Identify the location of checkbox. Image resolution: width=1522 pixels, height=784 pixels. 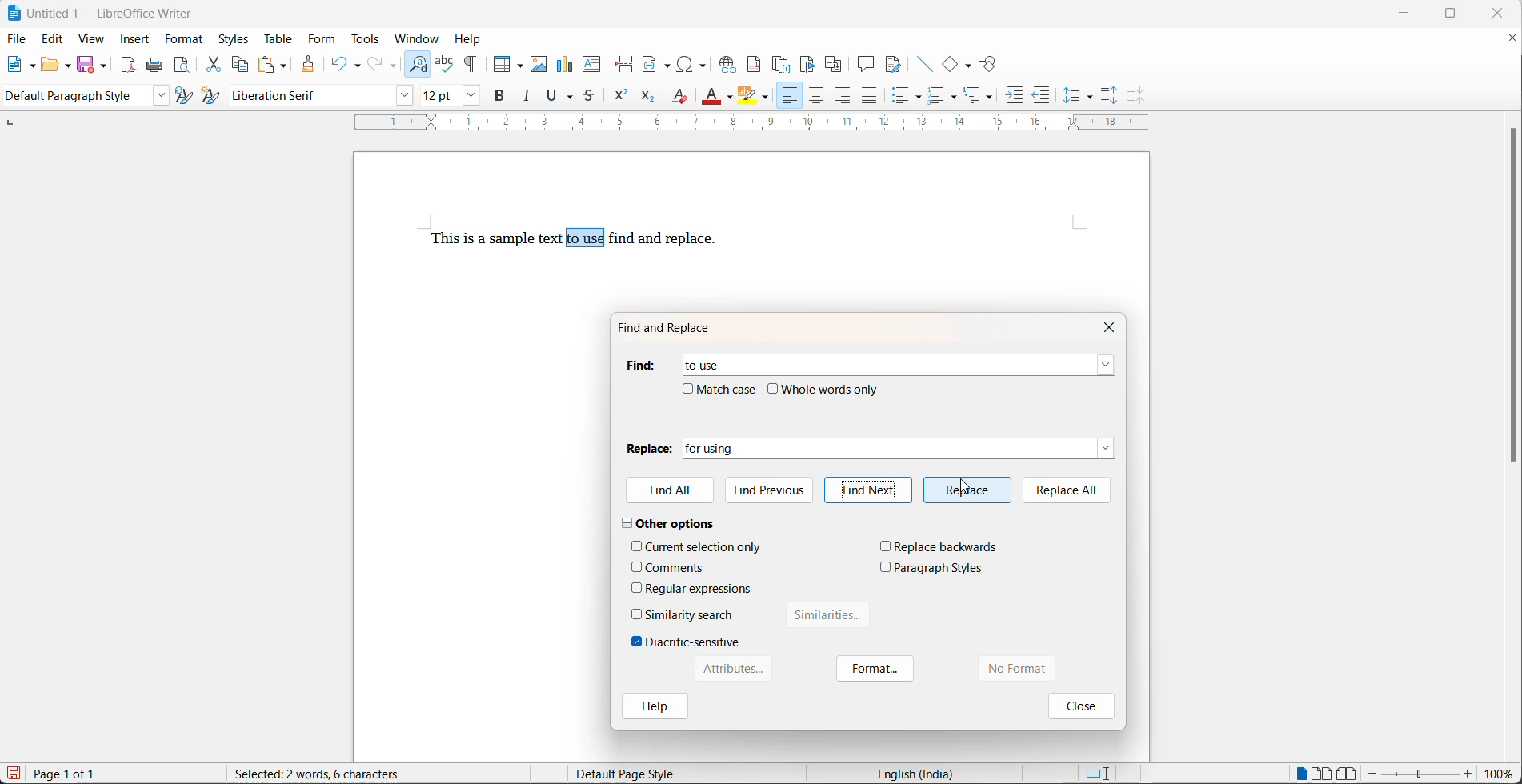
(637, 566).